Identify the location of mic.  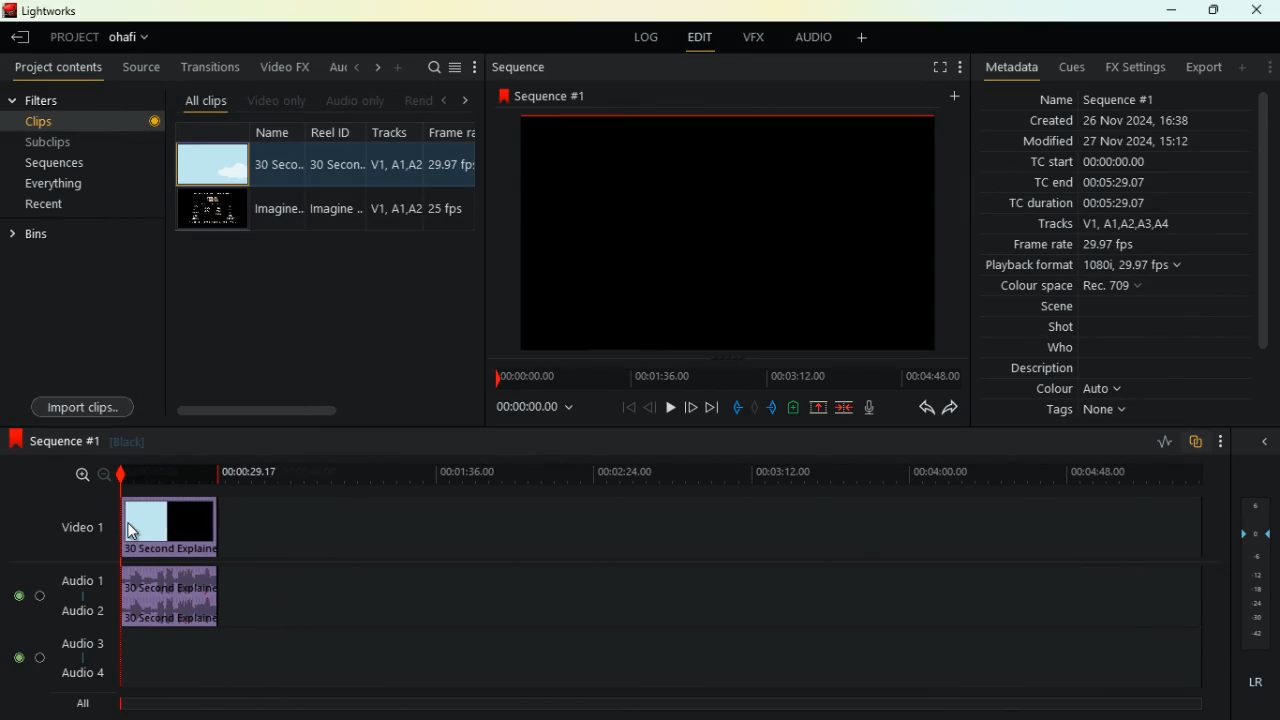
(870, 409).